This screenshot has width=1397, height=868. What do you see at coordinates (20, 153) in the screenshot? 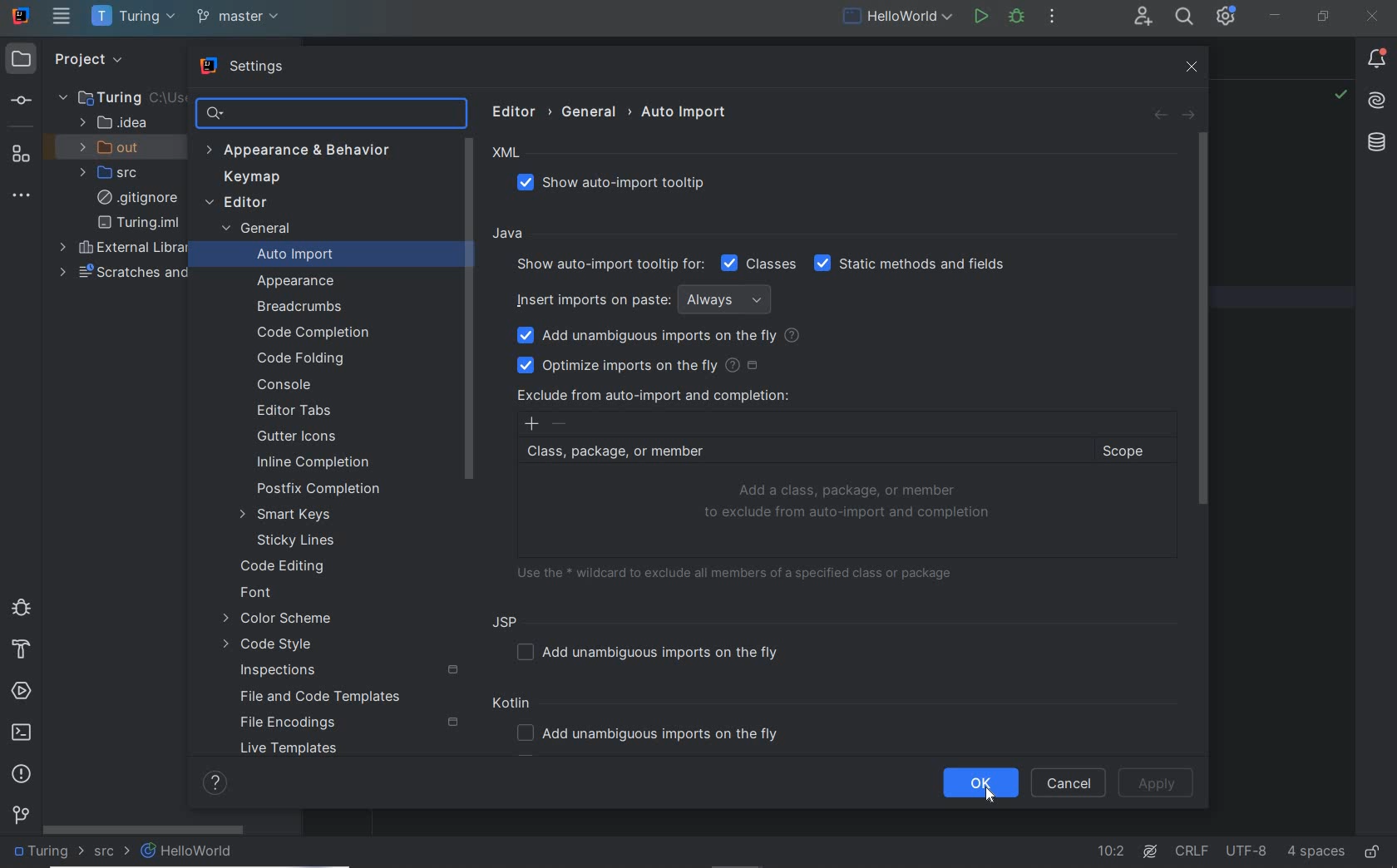
I see `structure` at bounding box center [20, 153].